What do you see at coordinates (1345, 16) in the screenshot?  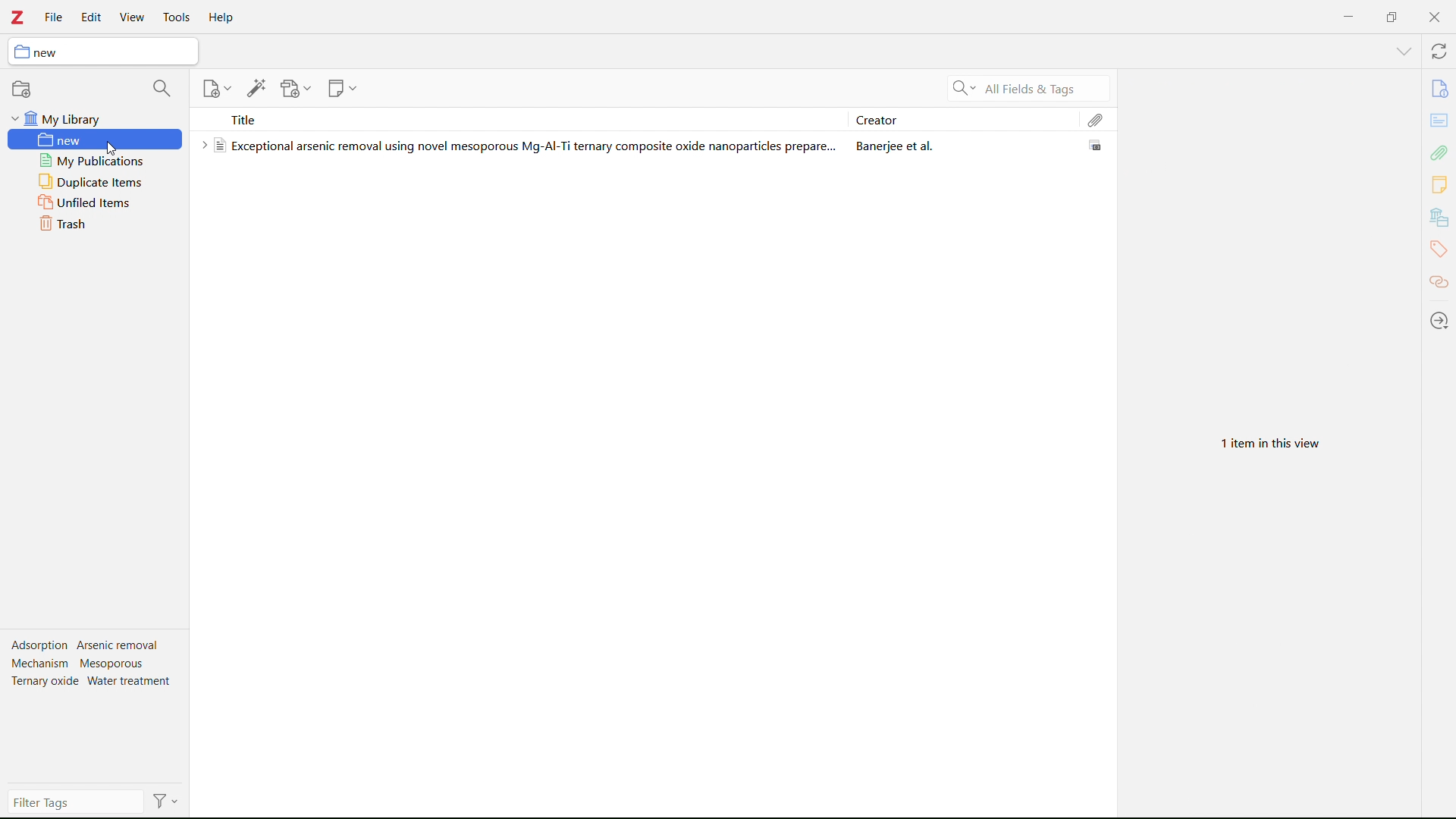 I see `minimize` at bounding box center [1345, 16].